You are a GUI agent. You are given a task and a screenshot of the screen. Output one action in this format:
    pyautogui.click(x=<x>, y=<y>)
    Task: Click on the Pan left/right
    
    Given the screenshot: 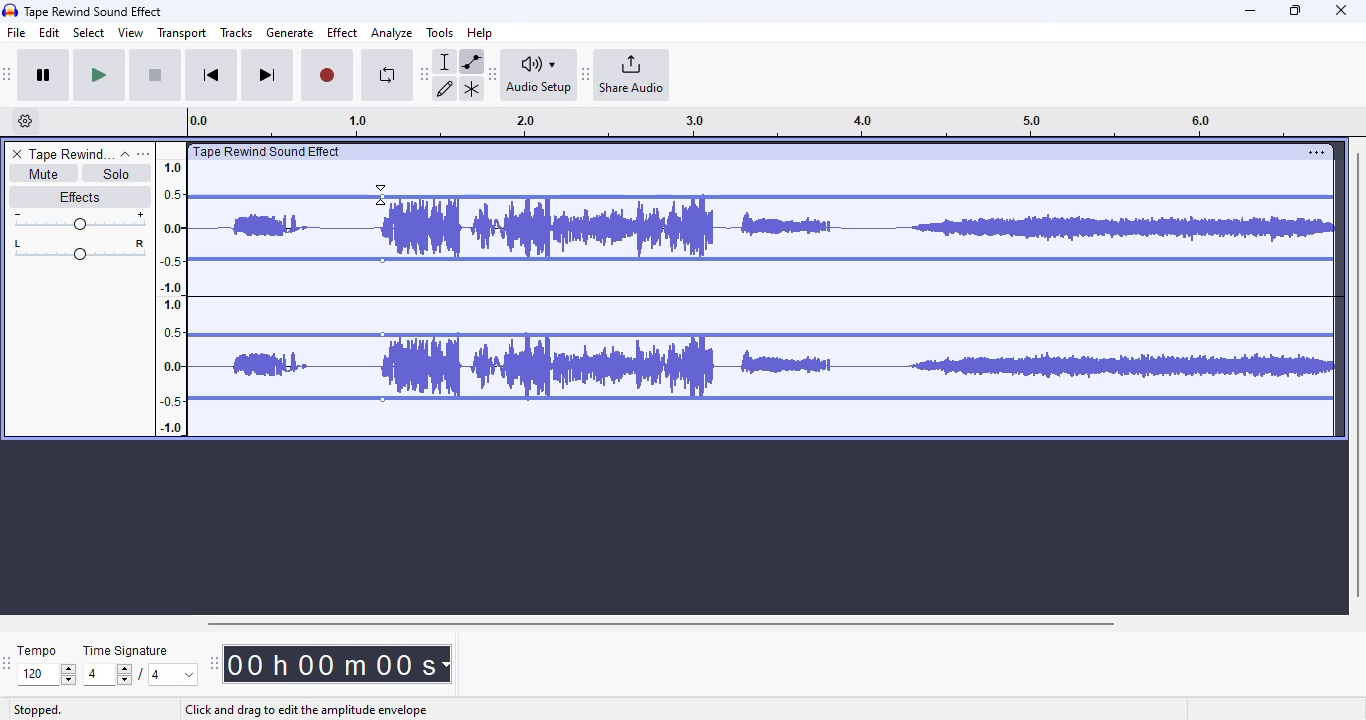 What is the action you would take?
    pyautogui.click(x=80, y=250)
    